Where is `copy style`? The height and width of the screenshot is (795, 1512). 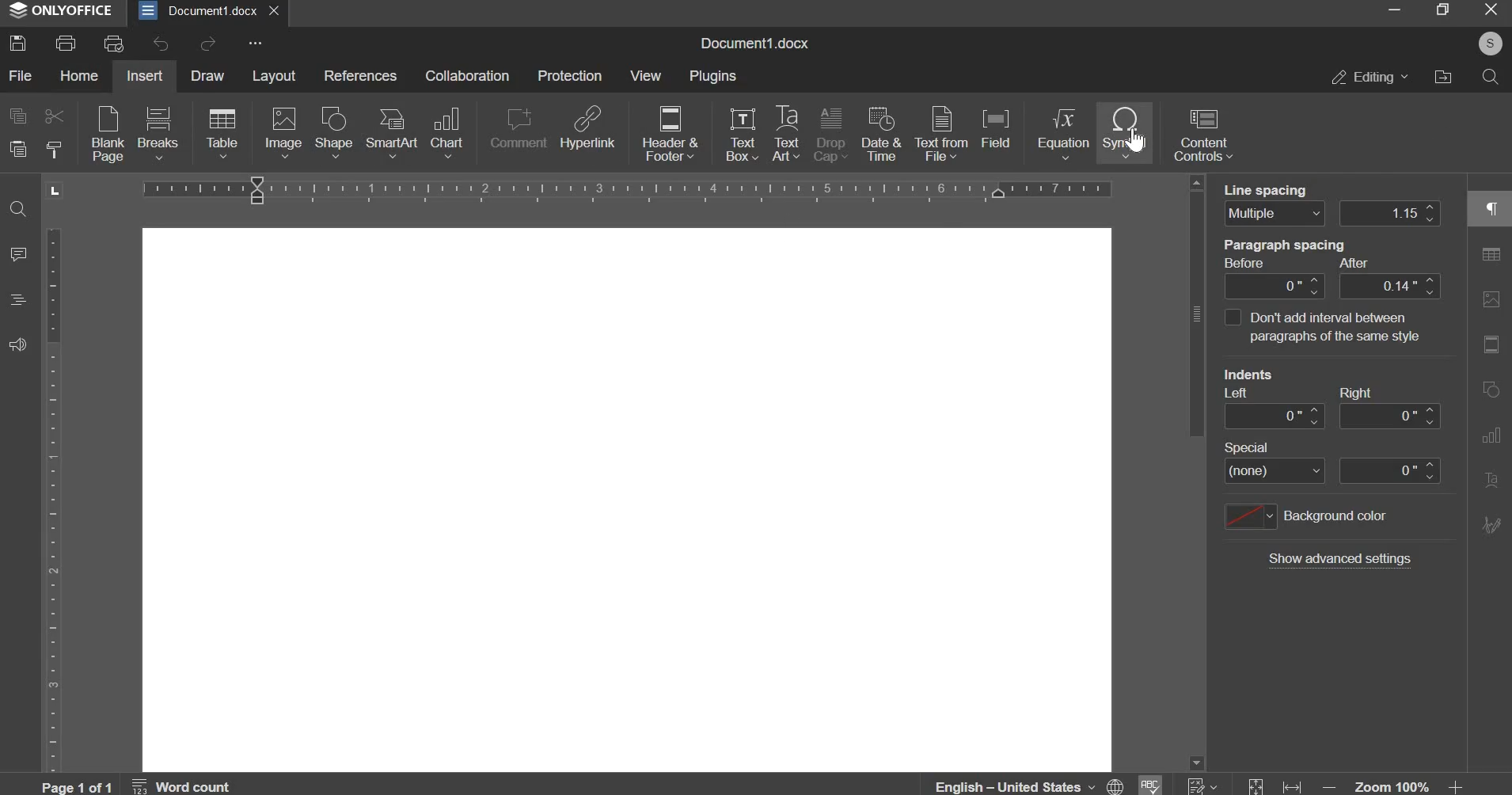
copy style is located at coordinates (54, 147).